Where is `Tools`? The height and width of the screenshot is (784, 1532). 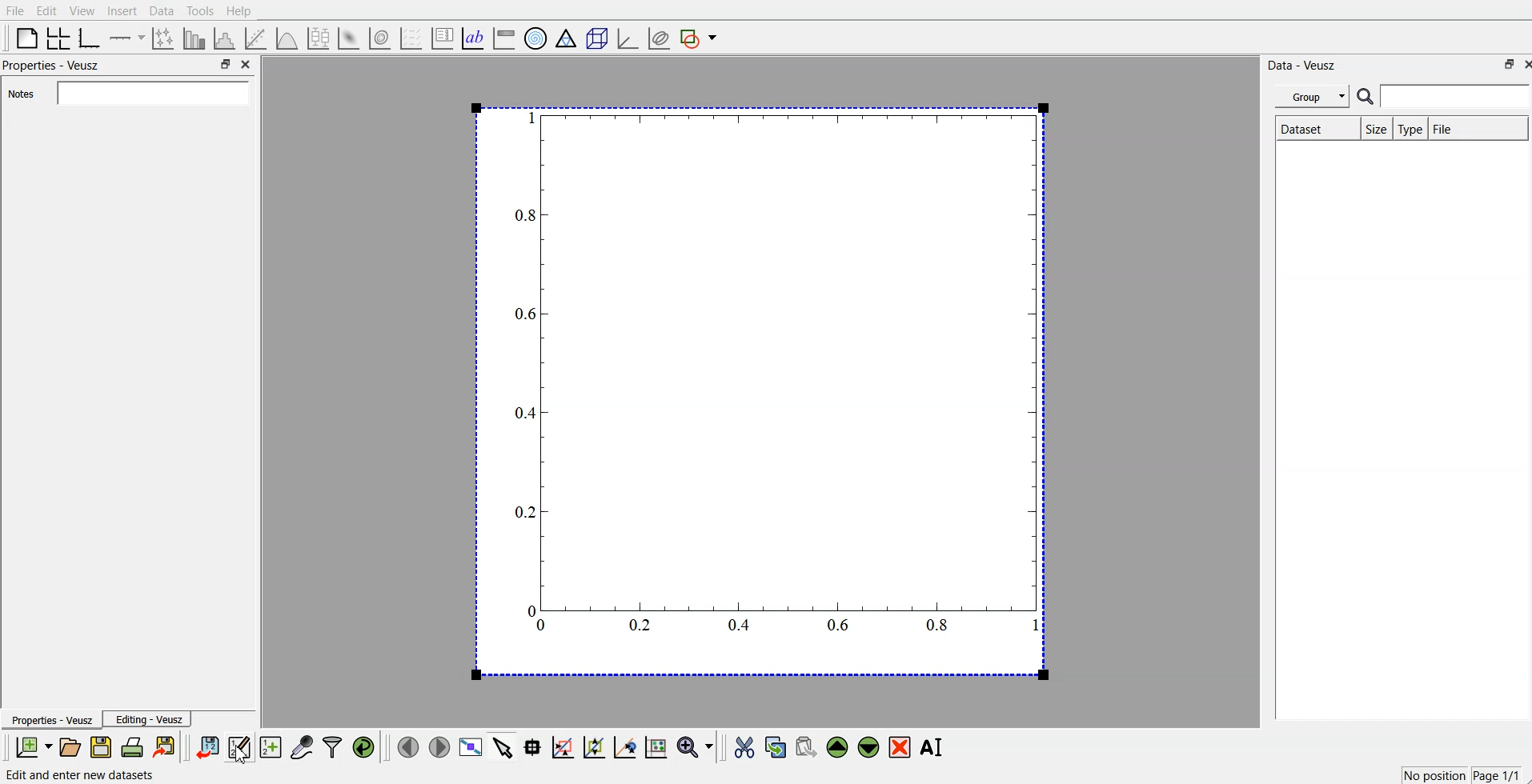 Tools is located at coordinates (200, 11).